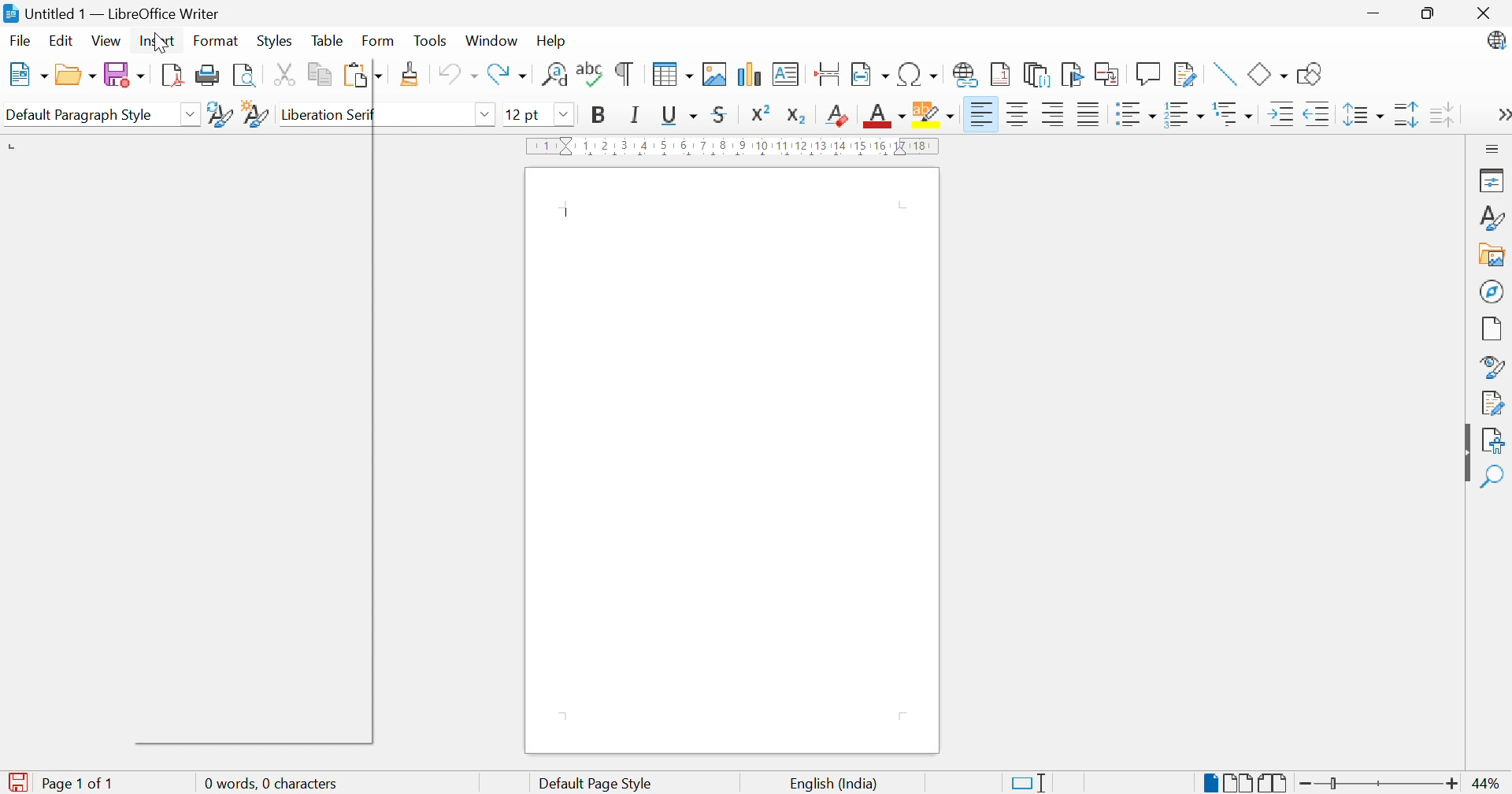 The height and width of the screenshot is (794, 1512). What do you see at coordinates (713, 74) in the screenshot?
I see `Insert image` at bounding box center [713, 74].